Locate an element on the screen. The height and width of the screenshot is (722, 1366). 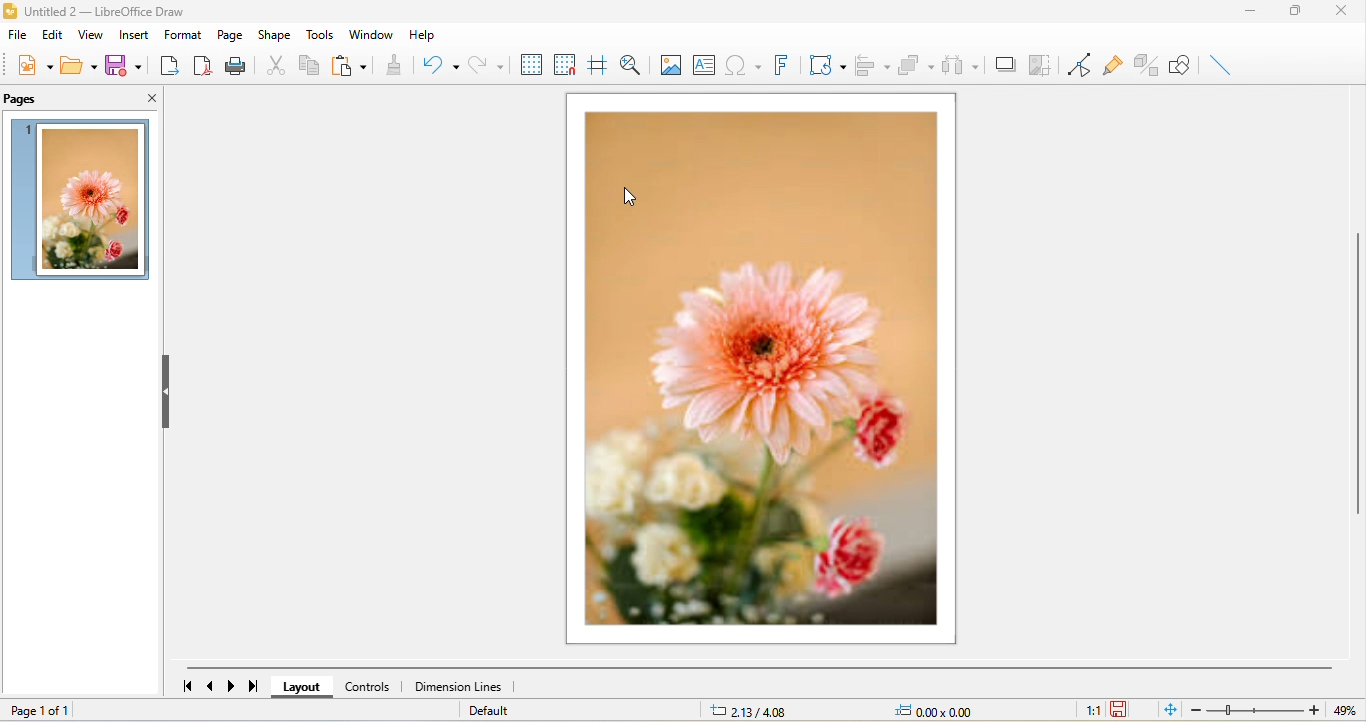
vertical scroll bar is located at coordinates (1357, 371).